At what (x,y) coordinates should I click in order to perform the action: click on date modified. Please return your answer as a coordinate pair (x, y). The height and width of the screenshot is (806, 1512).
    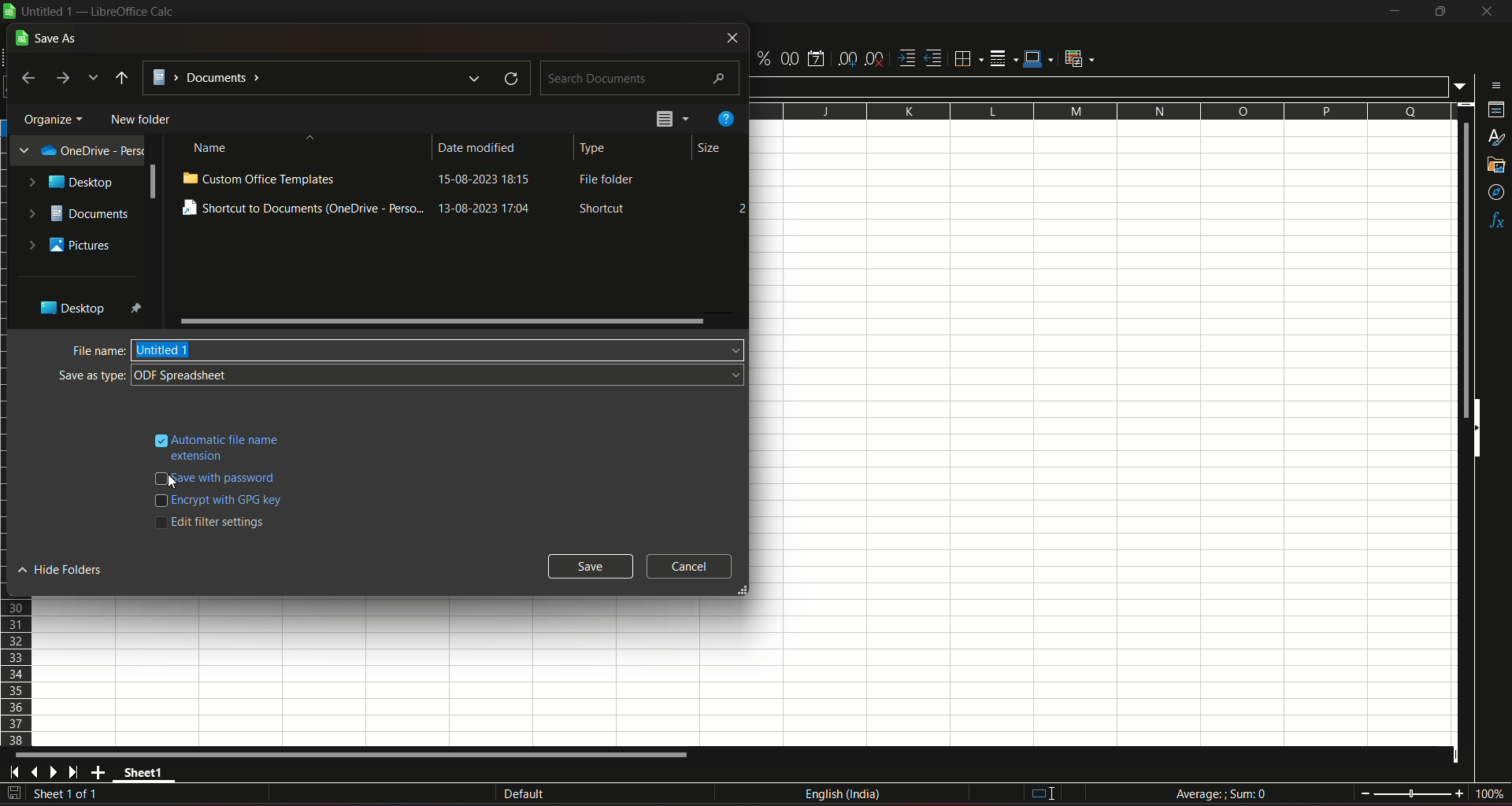
    Looking at the image, I should click on (479, 149).